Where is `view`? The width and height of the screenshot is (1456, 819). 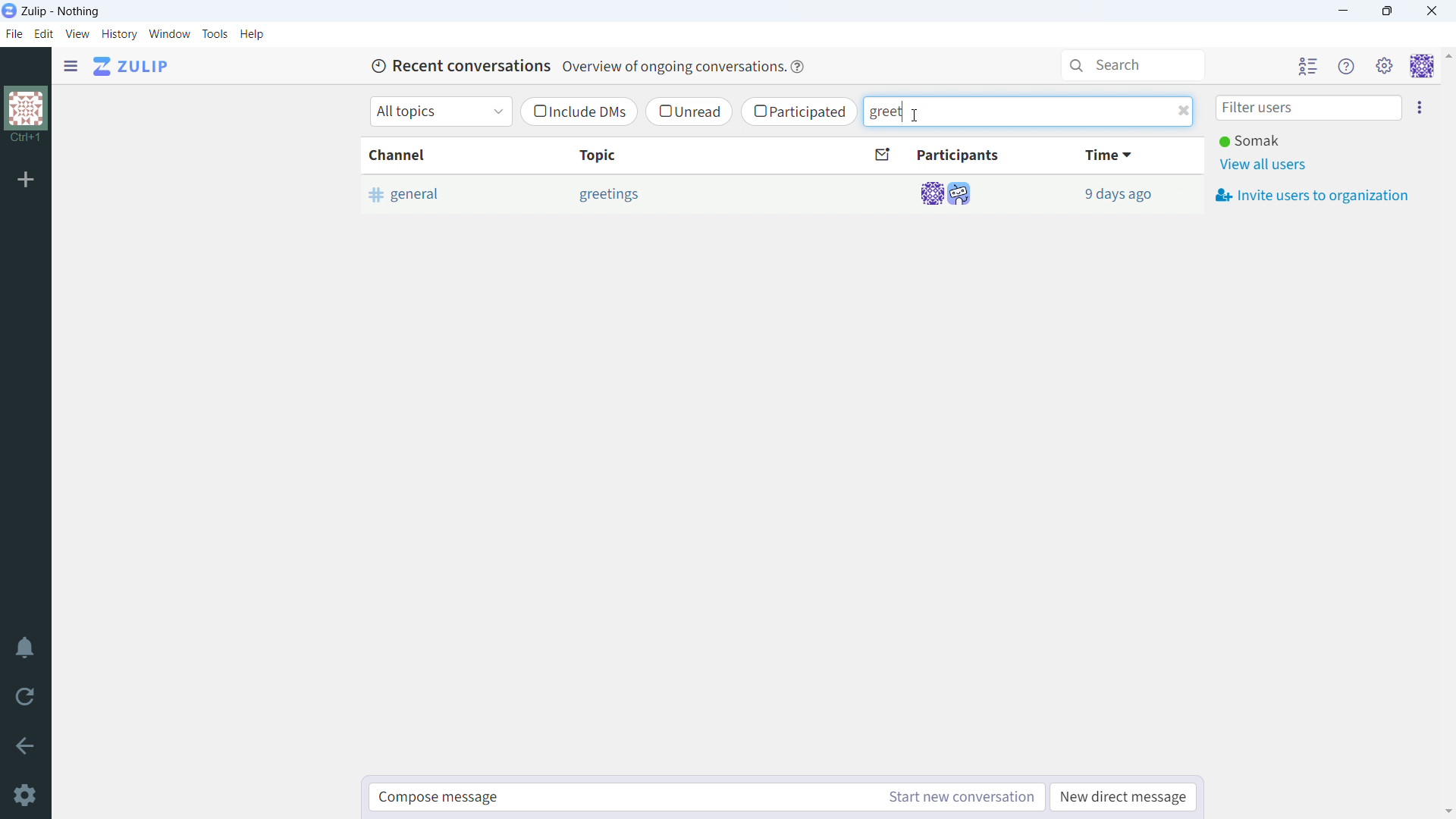
view is located at coordinates (77, 34).